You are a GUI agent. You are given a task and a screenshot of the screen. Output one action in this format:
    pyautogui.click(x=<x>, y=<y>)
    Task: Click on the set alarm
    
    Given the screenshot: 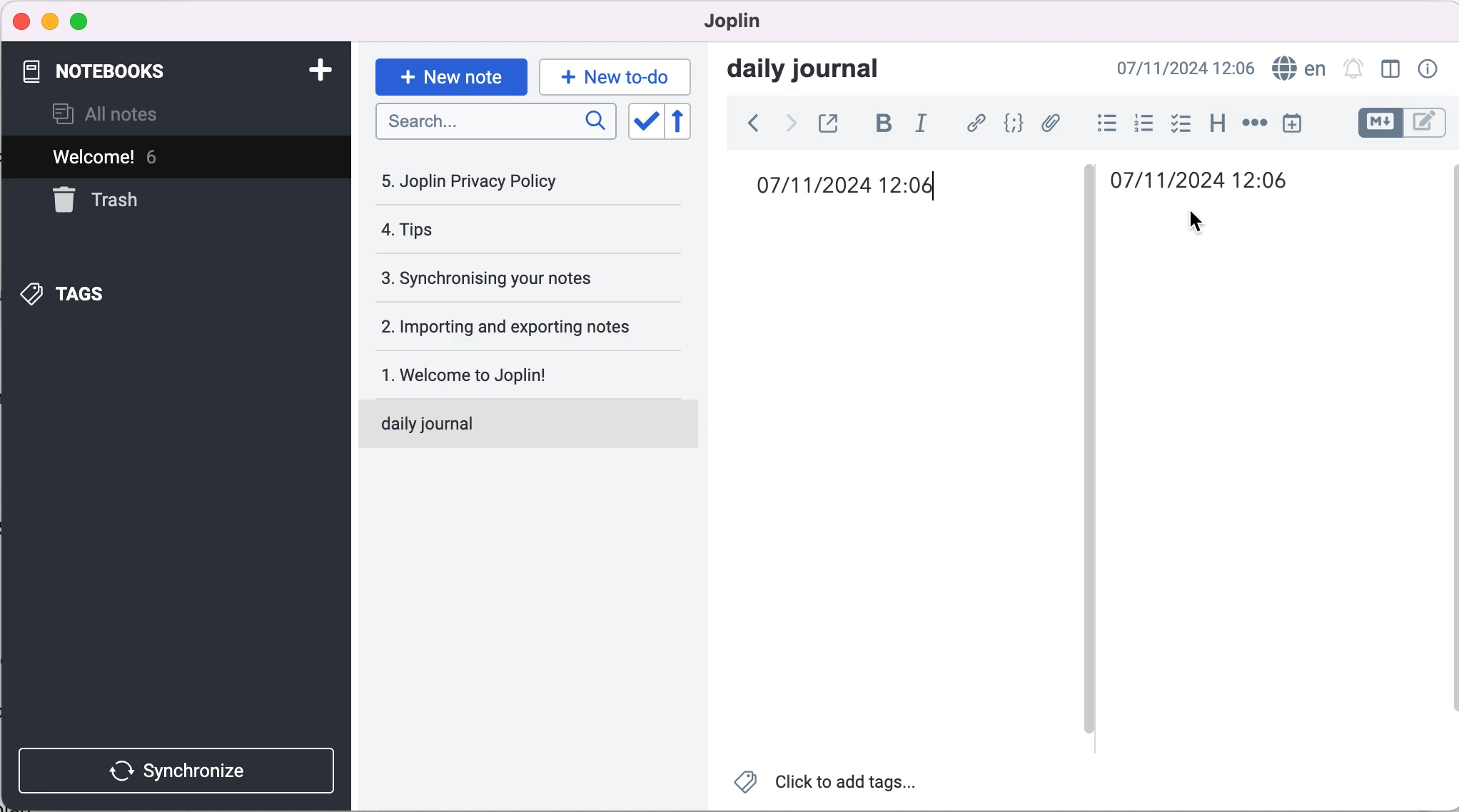 What is the action you would take?
    pyautogui.click(x=1351, y=71)
    